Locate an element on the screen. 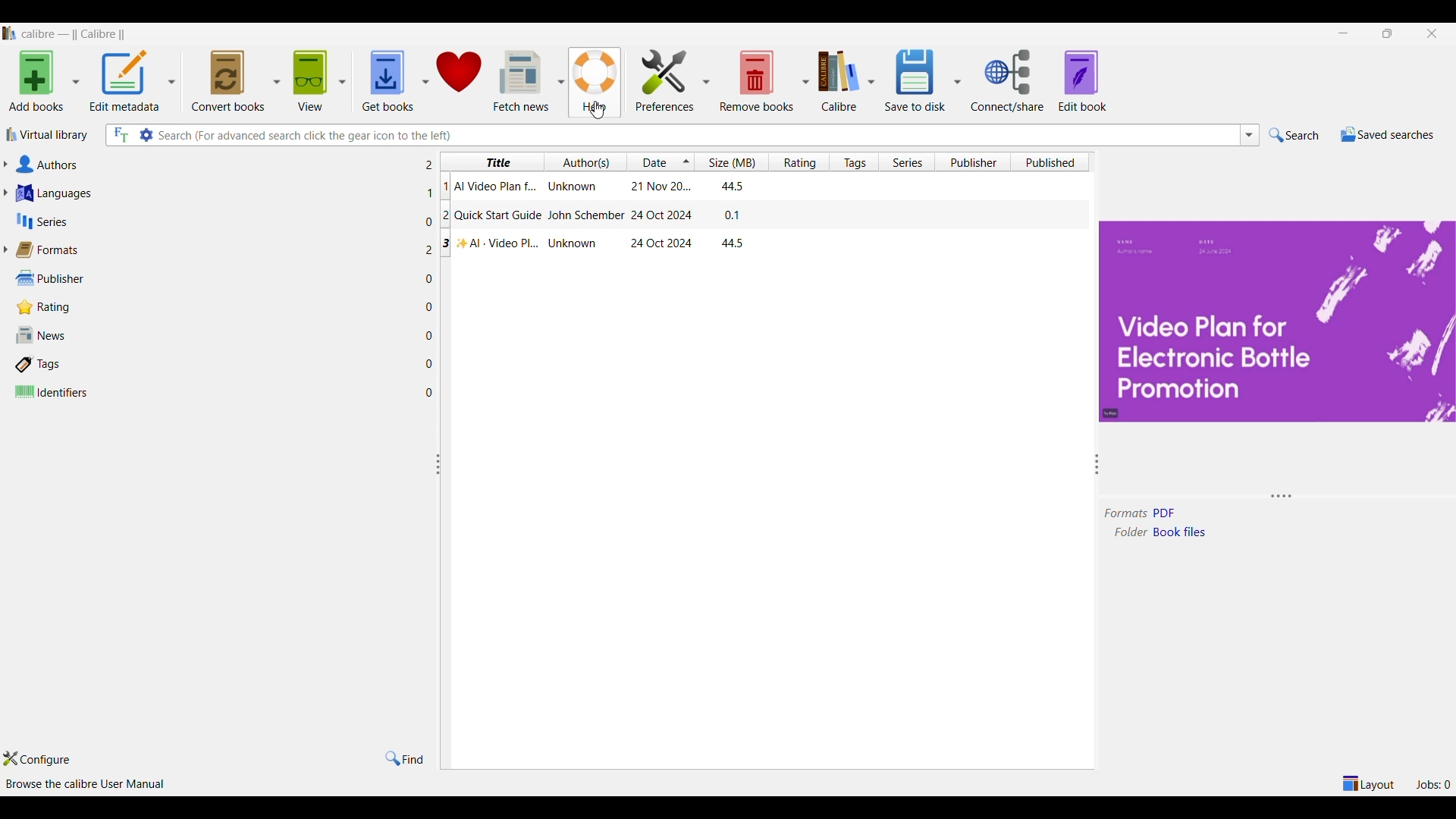 The height and width of the screenshot is (819, 1456). Publisher column is located at coordinates (973, 162).